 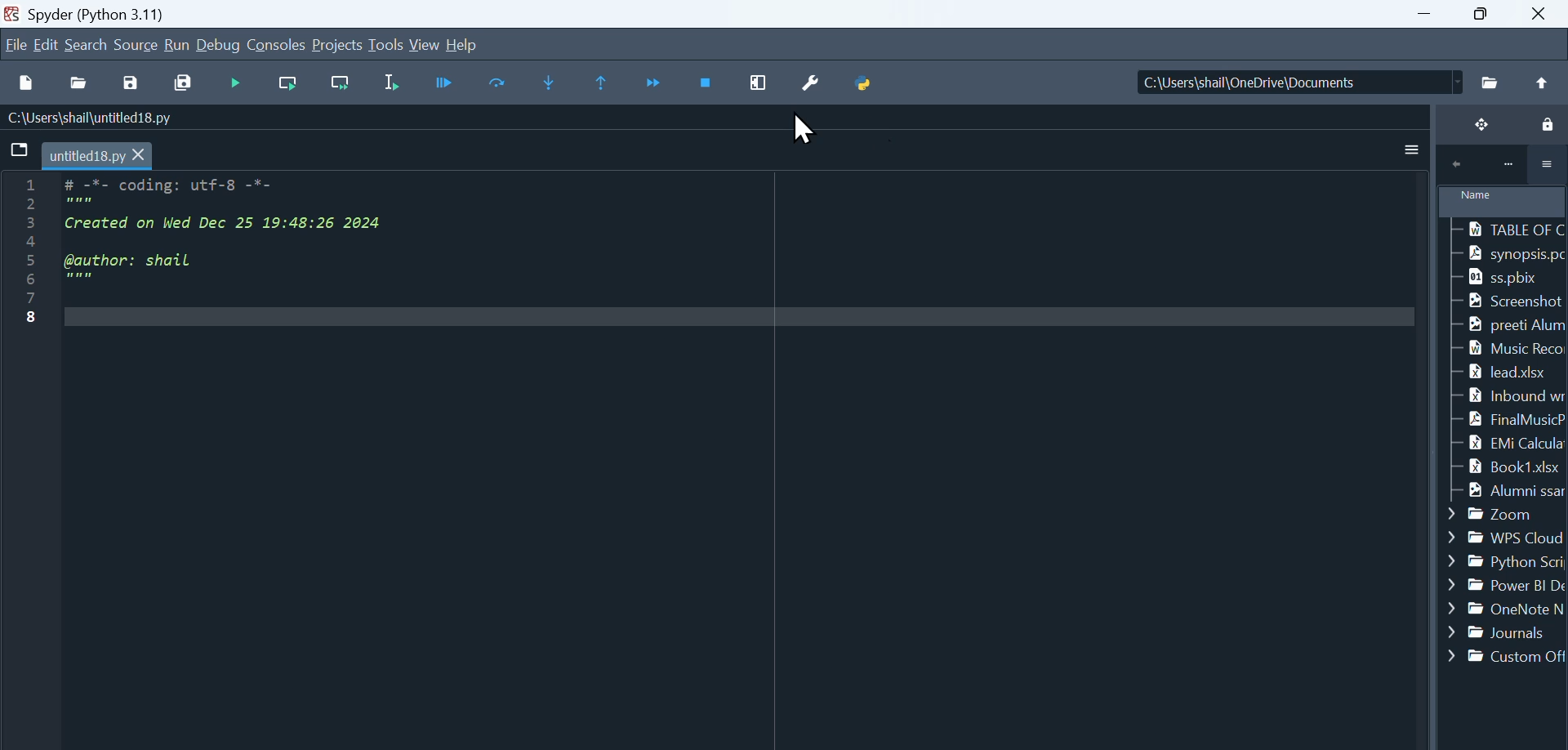 What do you see at coordinates (177, 46) in the screenshot?
I see `` at bounding box center [177, 46].